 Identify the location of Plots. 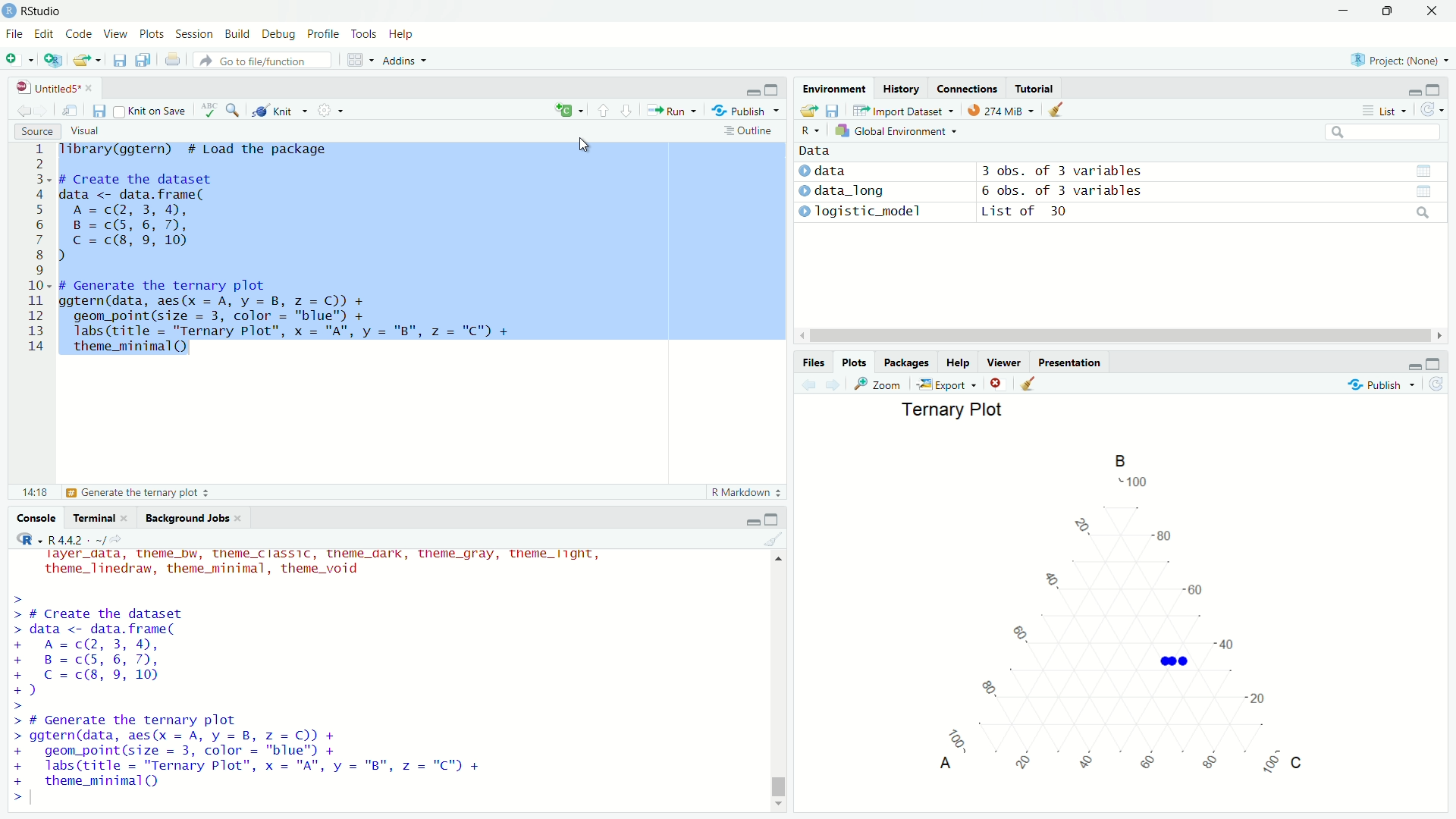
(149, 35).